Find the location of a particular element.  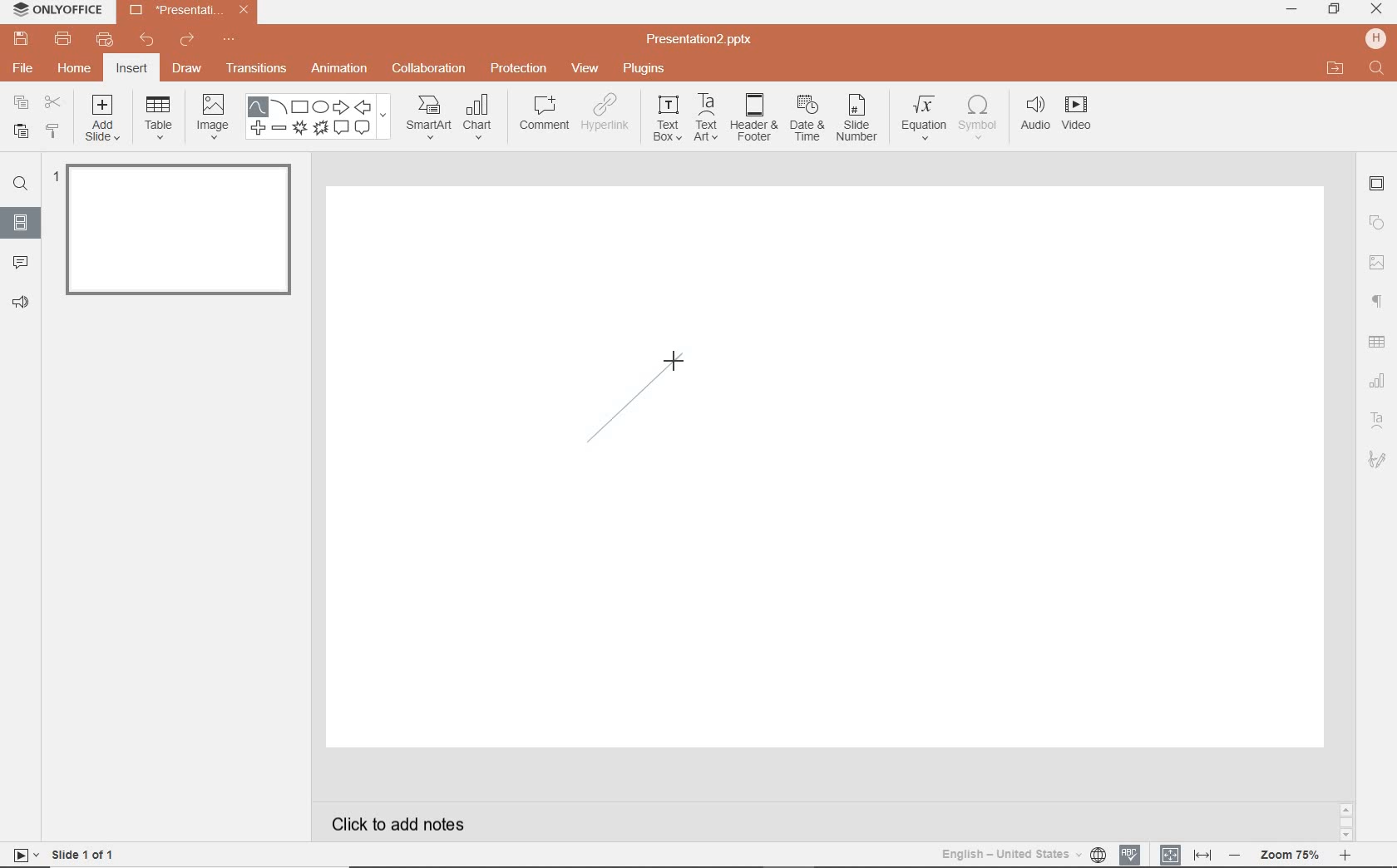

SIGNATURE is located at coordinates (1378, 461).